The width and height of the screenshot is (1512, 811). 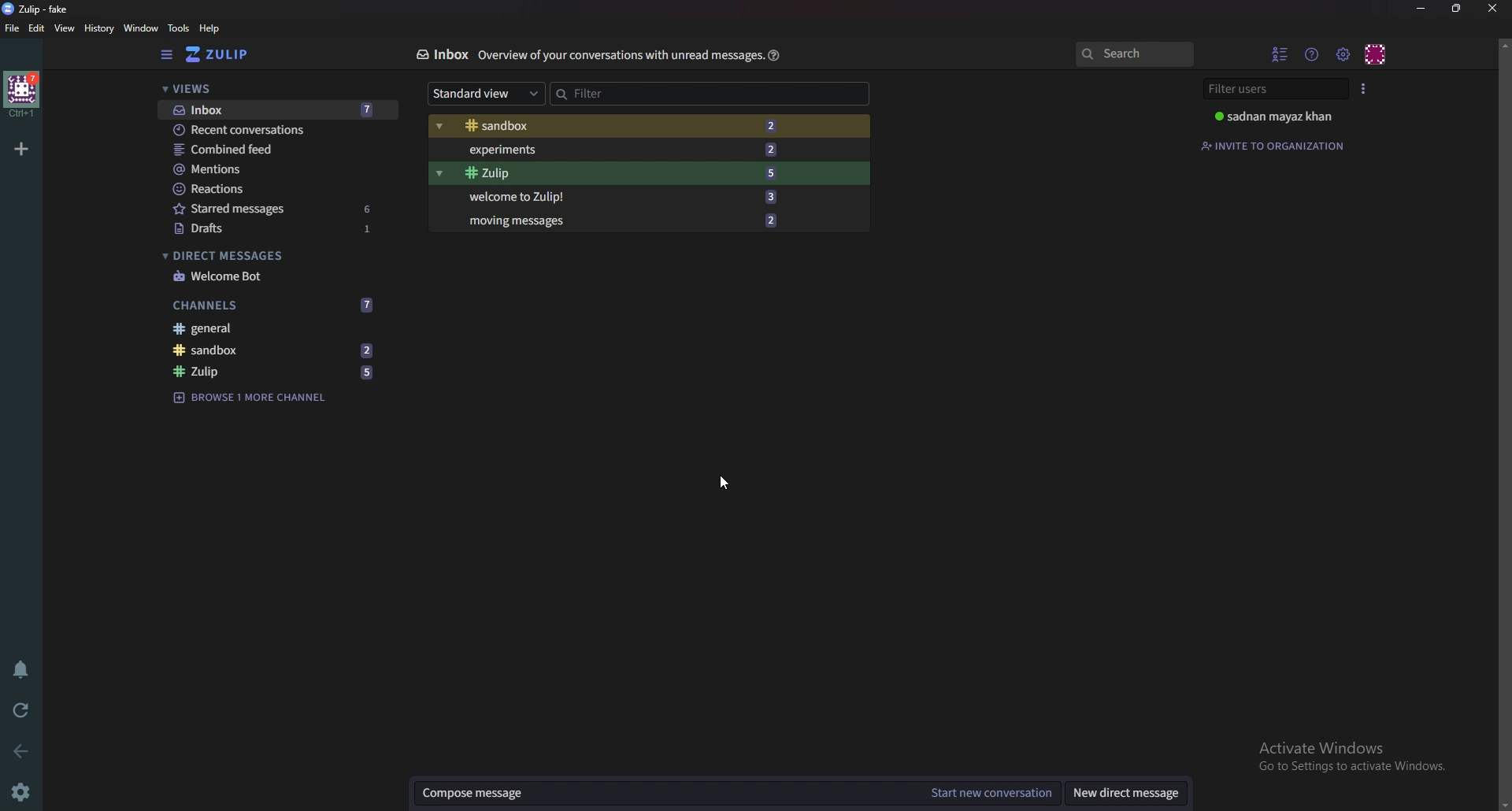 I want to click on Sandbox, so click(x=635, y=124).